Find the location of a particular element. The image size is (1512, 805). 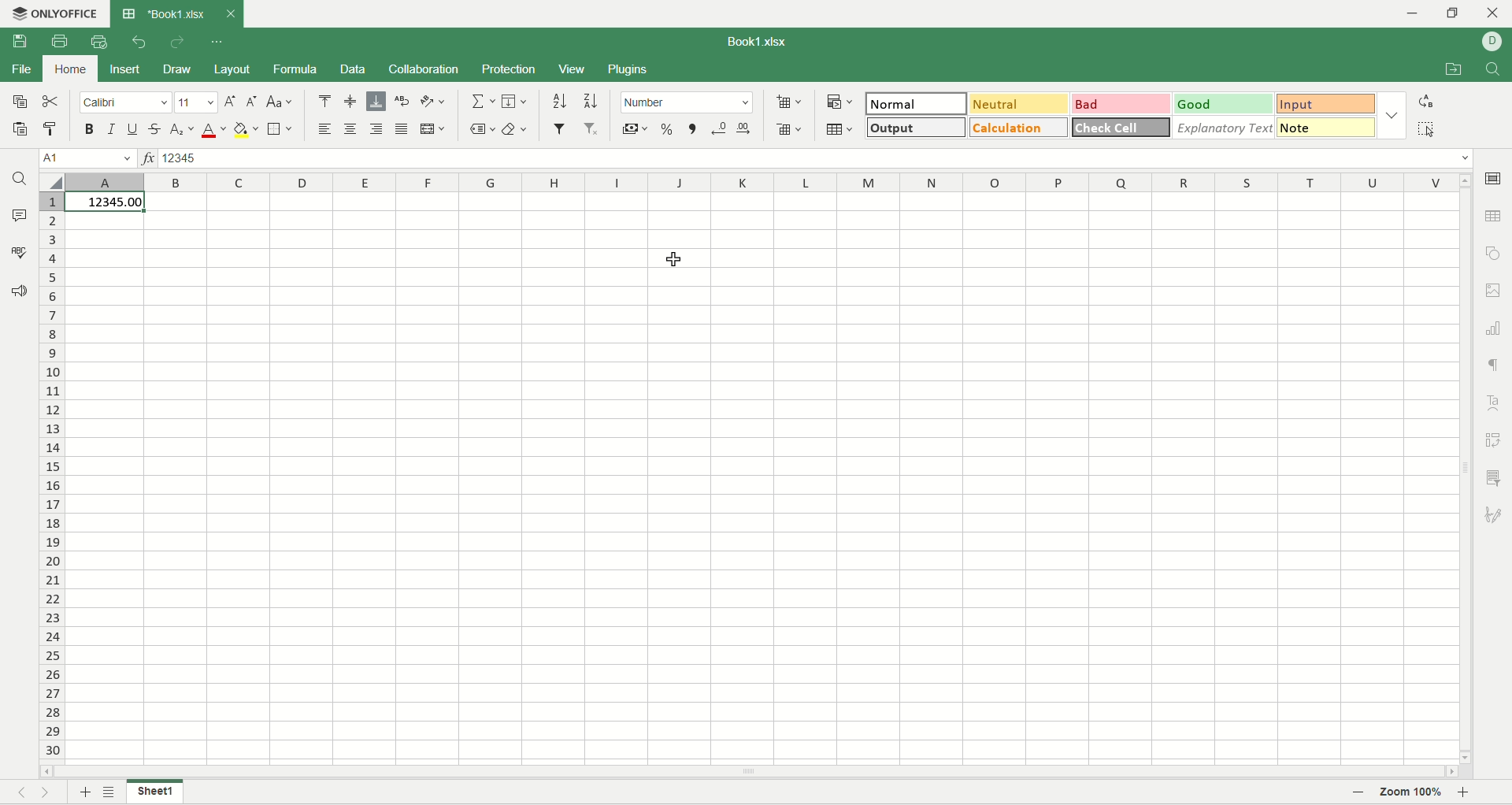

horizontal scroll bar is located at coordinates (747, 770).